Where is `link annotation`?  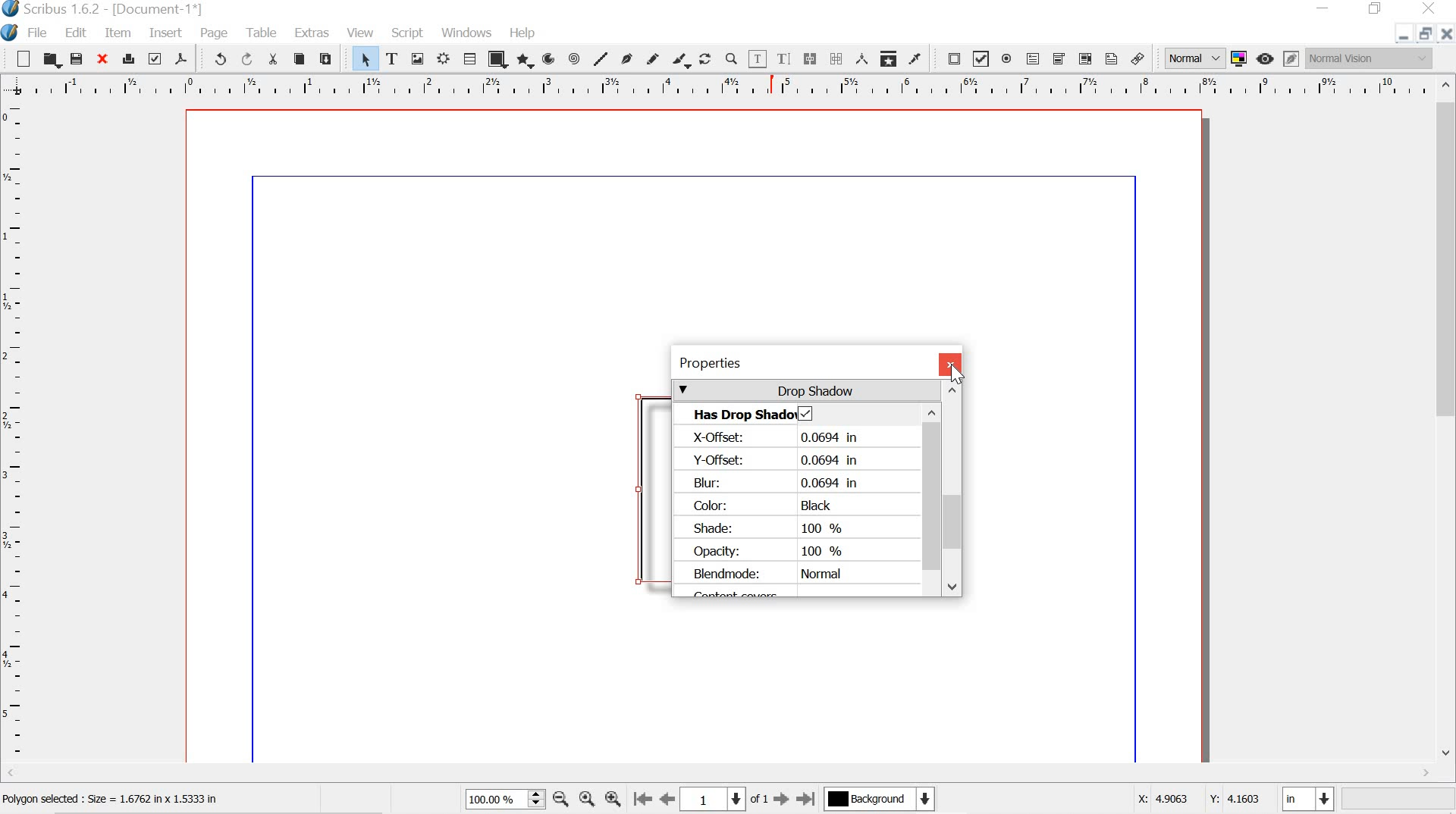
link annotation is located at coordinates (1141, 58).